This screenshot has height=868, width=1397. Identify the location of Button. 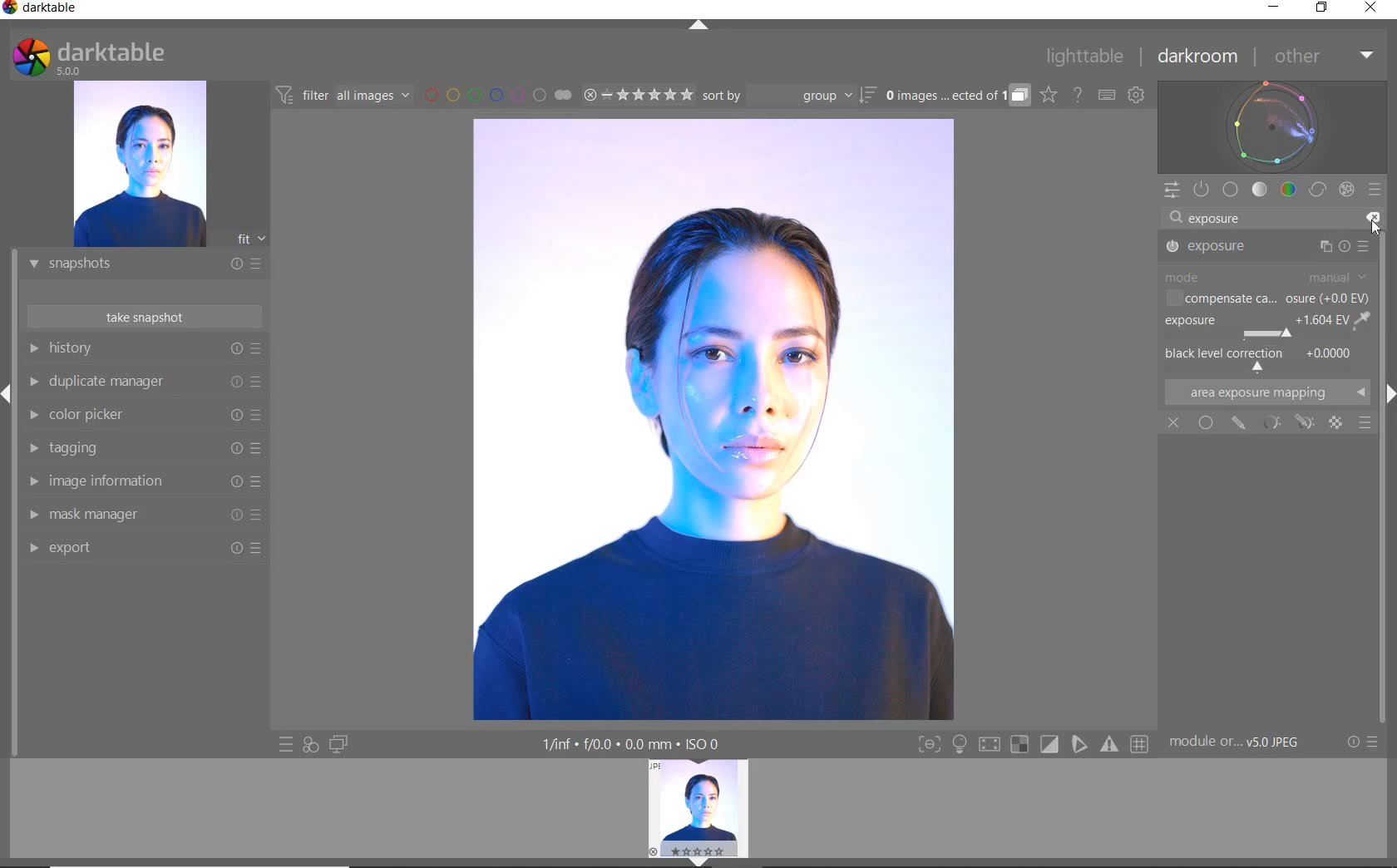
(929, 746).